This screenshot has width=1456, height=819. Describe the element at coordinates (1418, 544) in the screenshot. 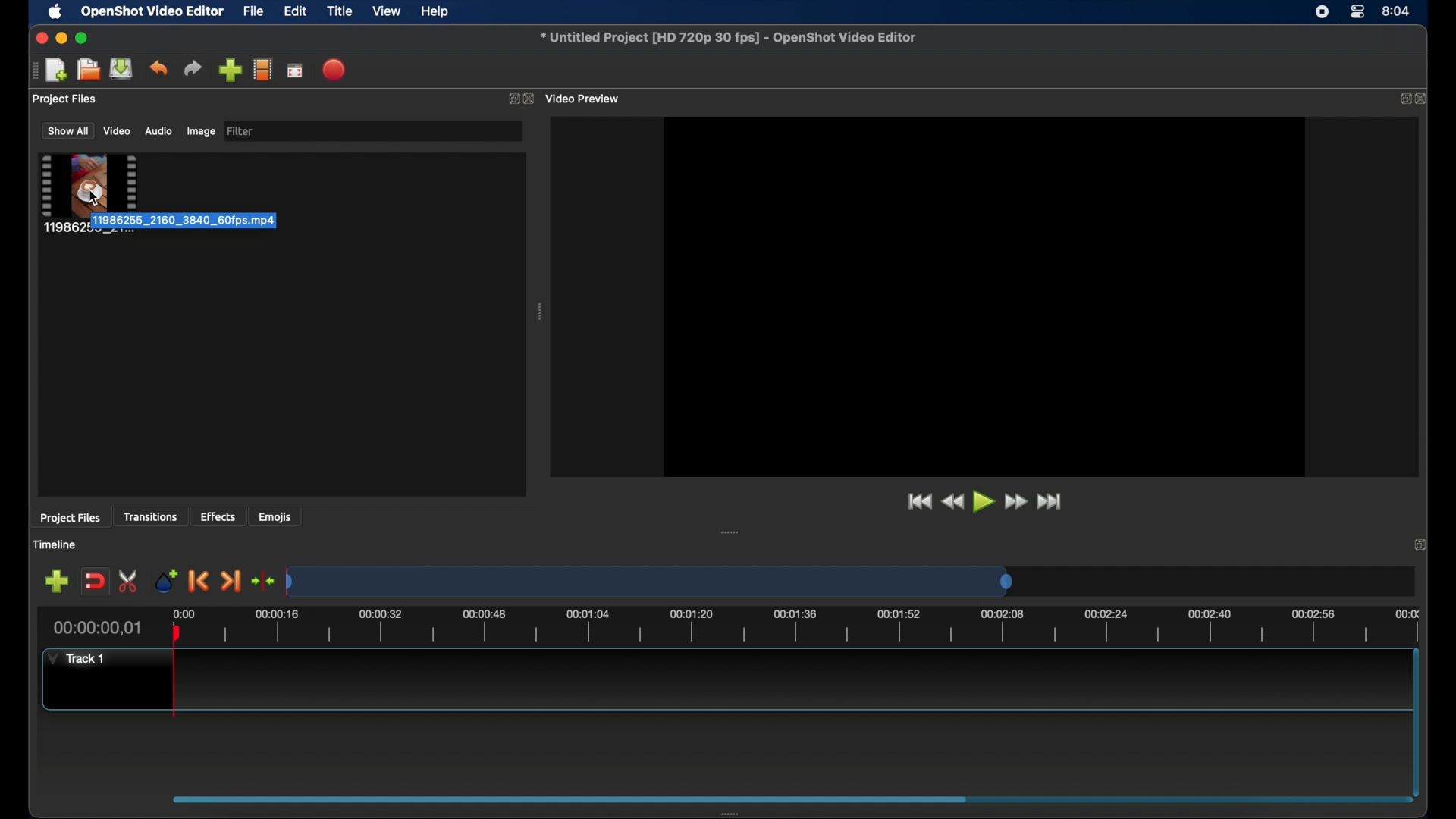

I see `close` at that location.